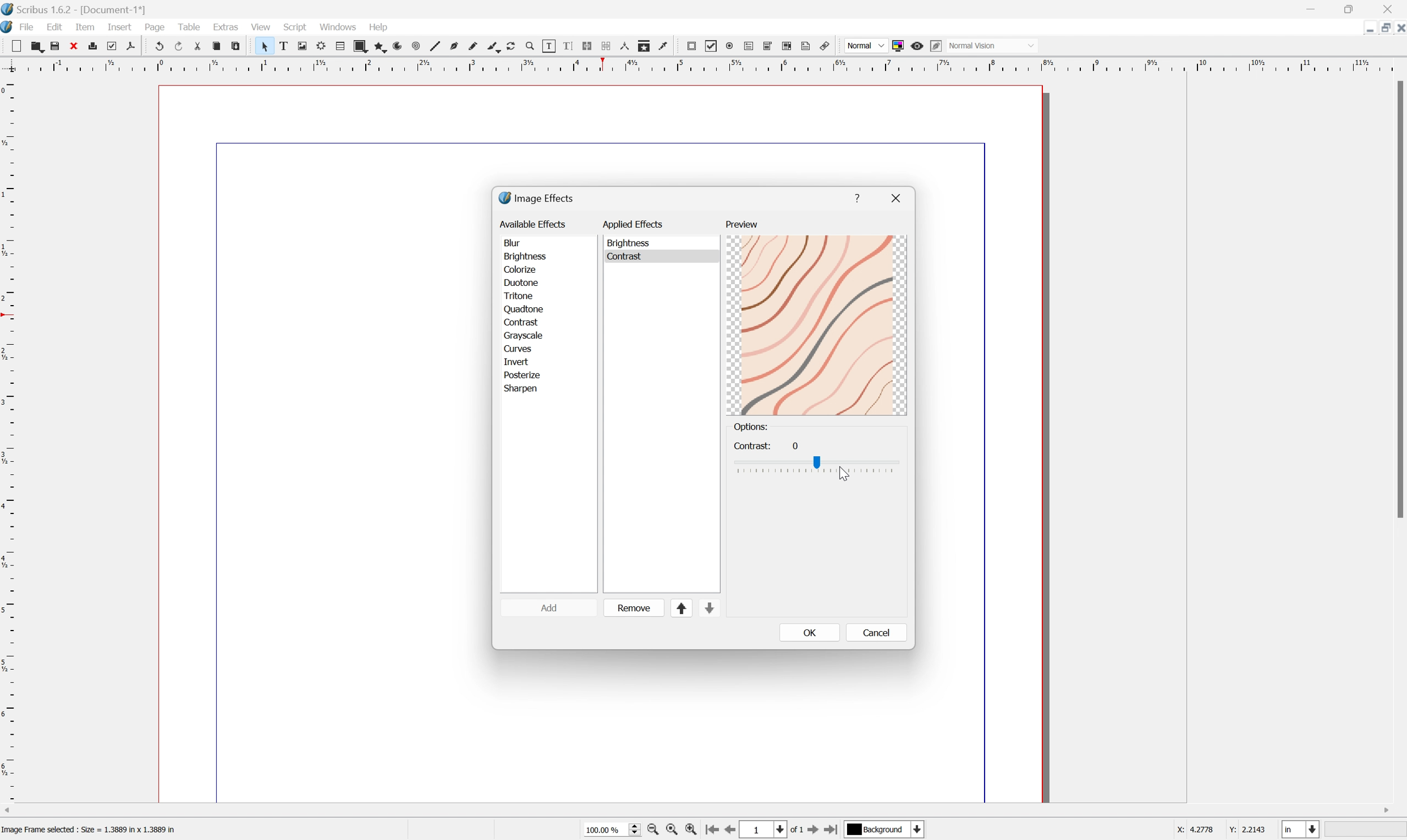 The width and height of the screenshot is (1407, 840). Describe the element at coordinates (1311, 8) in the screenshot. I see `Minimize` at that location.